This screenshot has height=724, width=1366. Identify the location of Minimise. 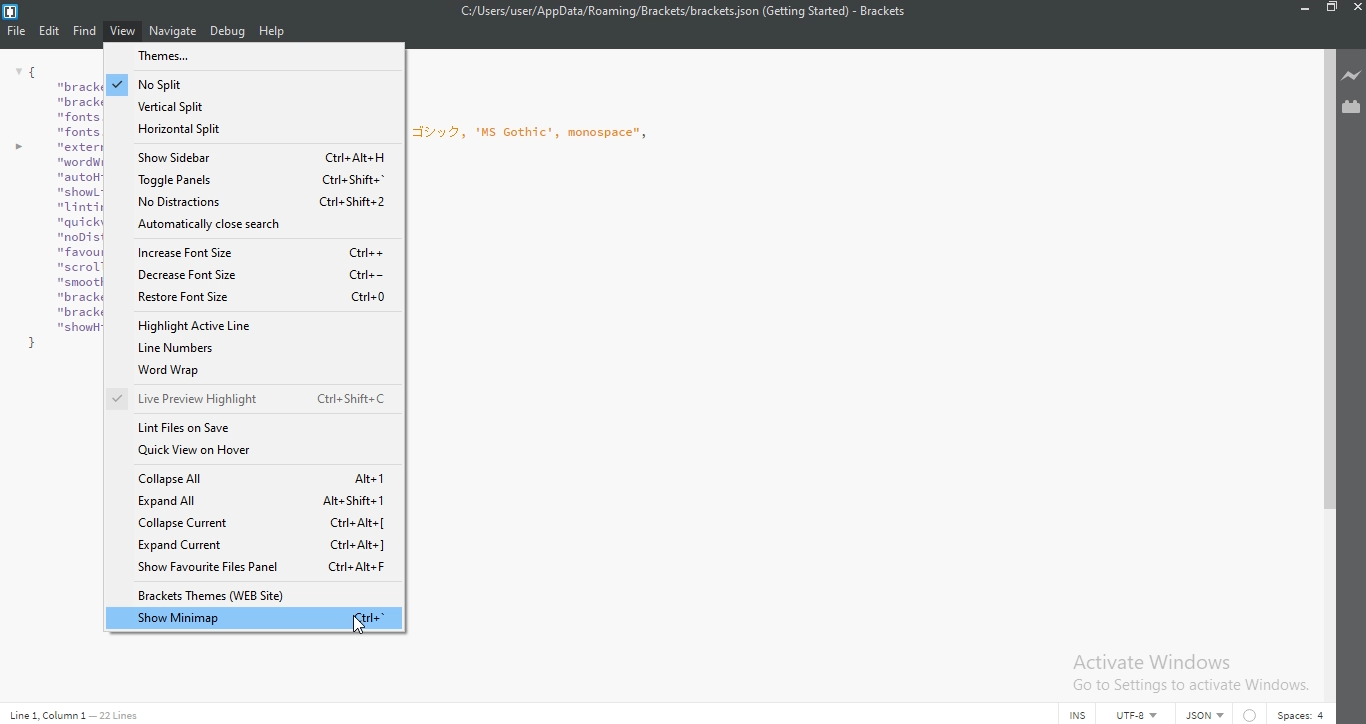
(1306, 9).